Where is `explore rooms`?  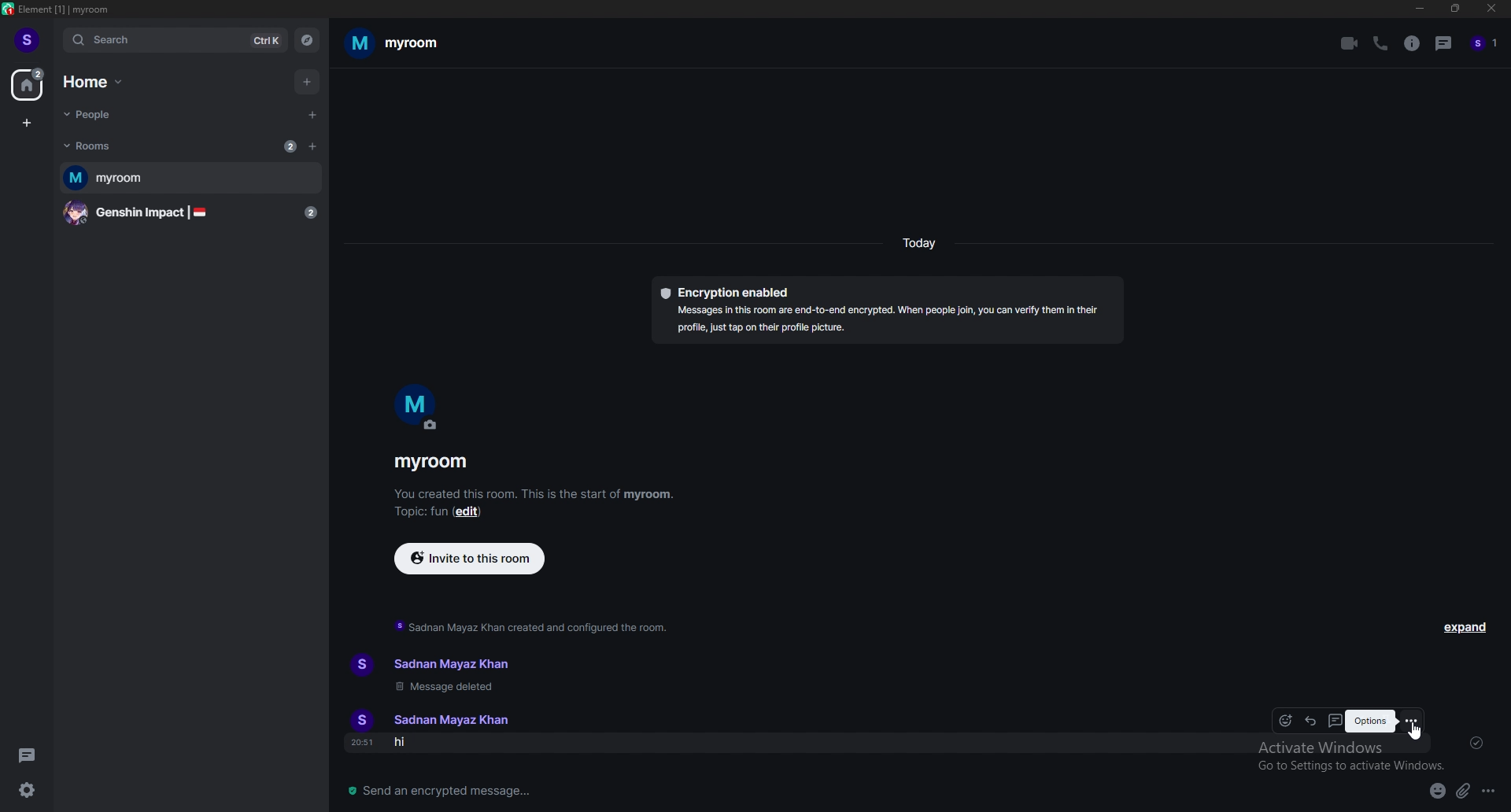 explore rooms is located at coordinates (305, 41).